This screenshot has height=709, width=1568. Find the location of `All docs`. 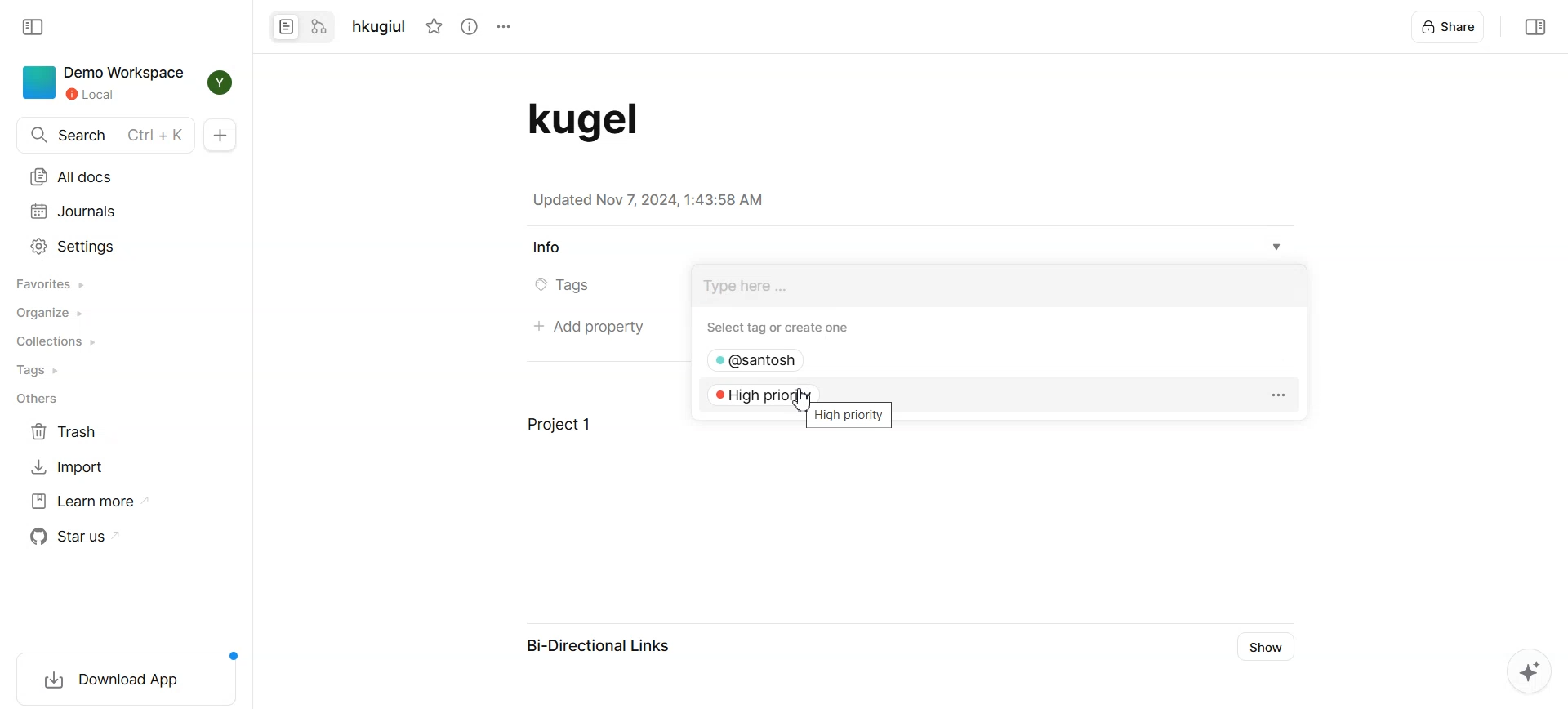

All docs is located at coordinates (74, 176).